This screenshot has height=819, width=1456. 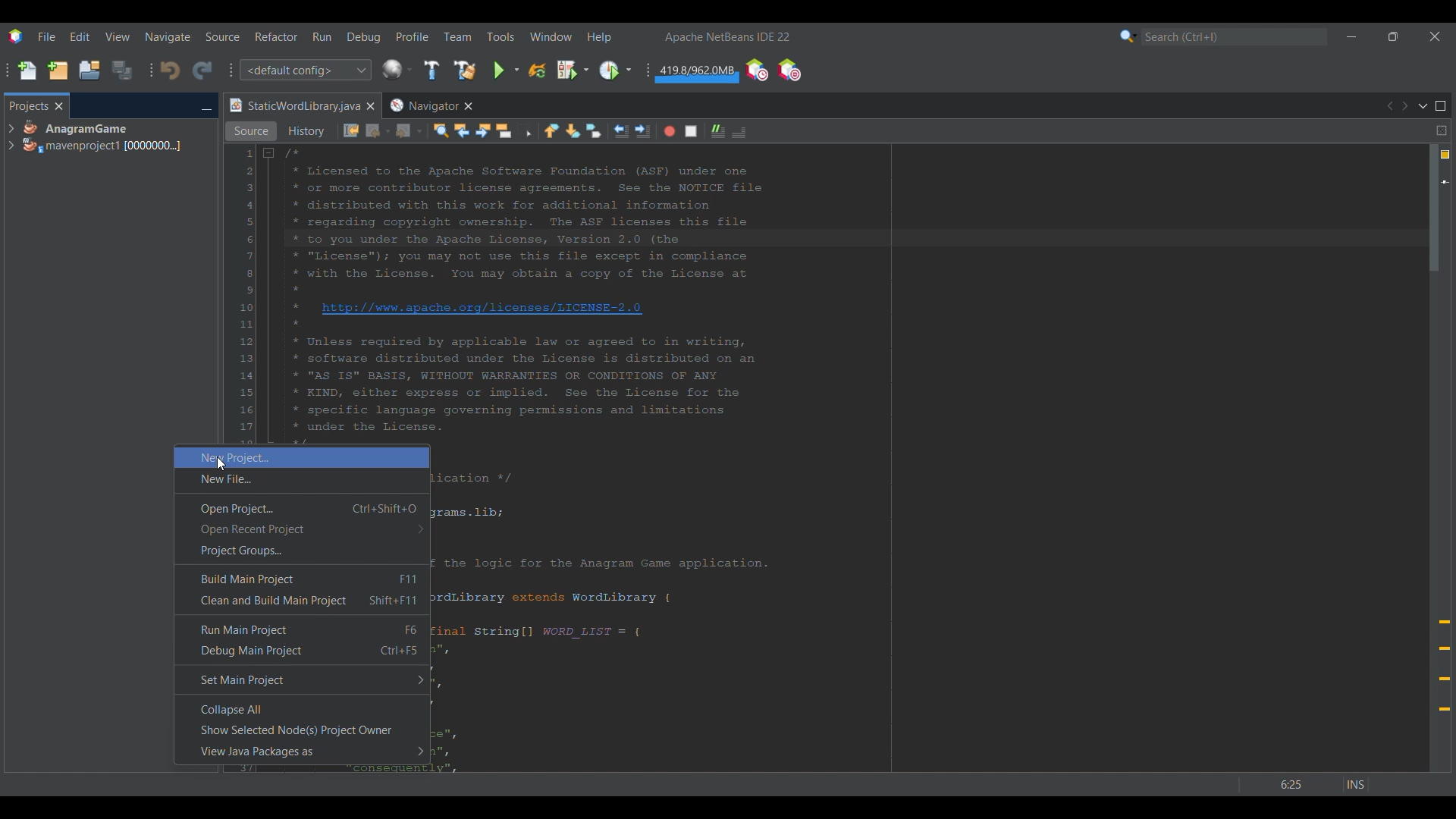 What do you see at coordinates (739, 132) in the screenshot?
I see `Comment` at bounding box center [739, 132].